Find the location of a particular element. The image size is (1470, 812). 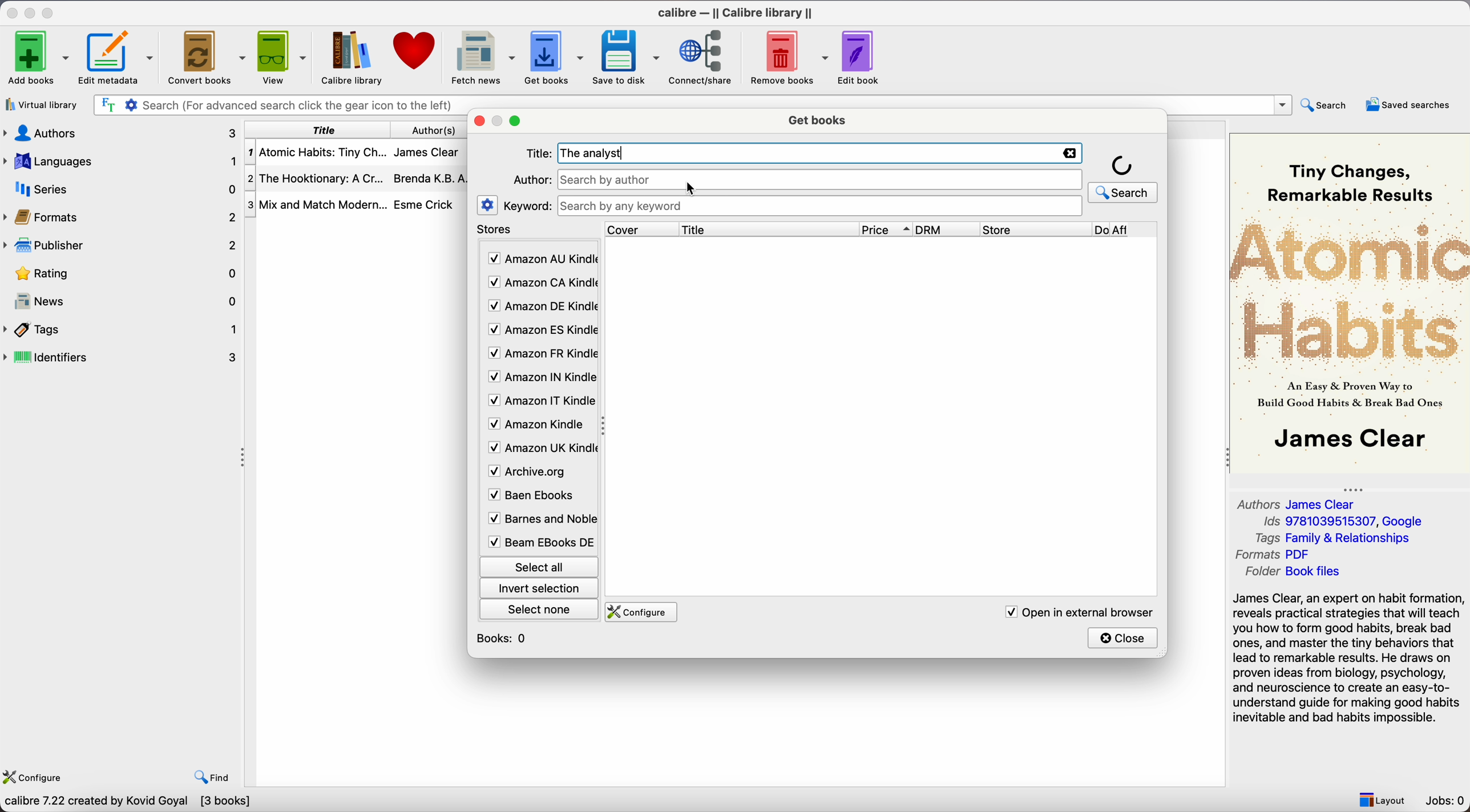

select all is located at coordinates (538, 565).